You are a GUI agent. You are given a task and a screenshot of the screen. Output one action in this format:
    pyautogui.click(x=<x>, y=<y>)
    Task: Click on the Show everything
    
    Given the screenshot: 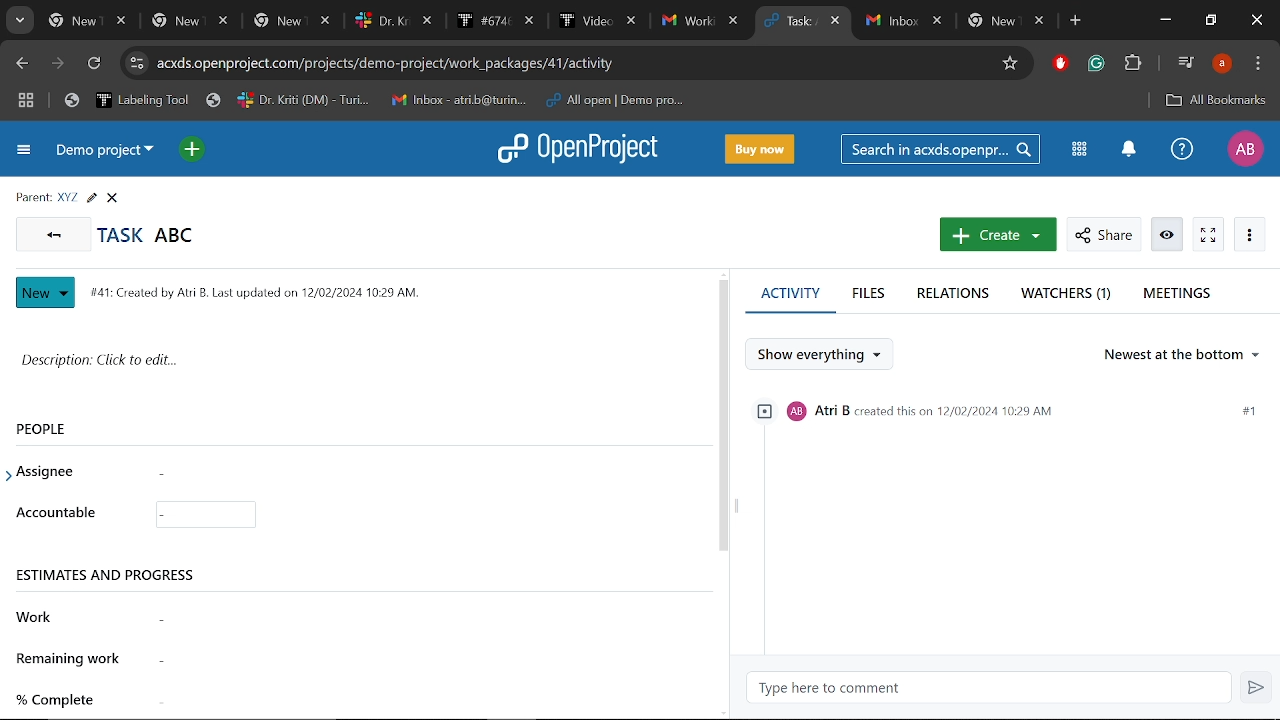 What is the action you would take?
    pyautogui.click(x=815, y=355)
    